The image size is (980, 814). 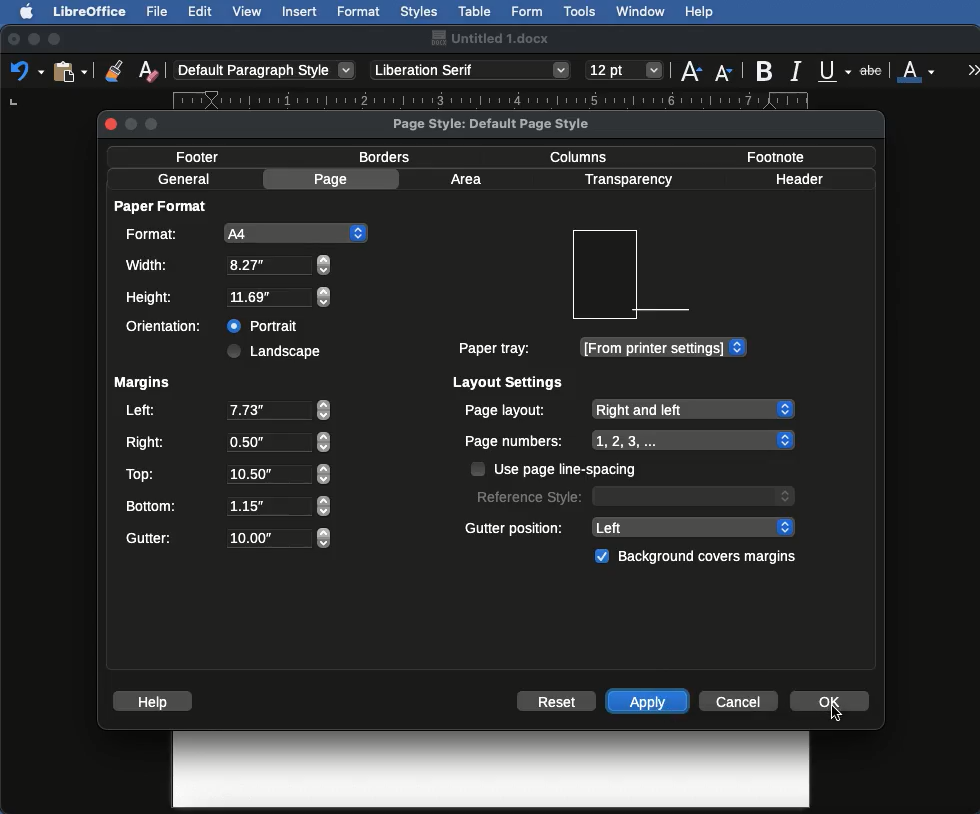 I want to click on Clear formatting, so click(x=148, y=69).